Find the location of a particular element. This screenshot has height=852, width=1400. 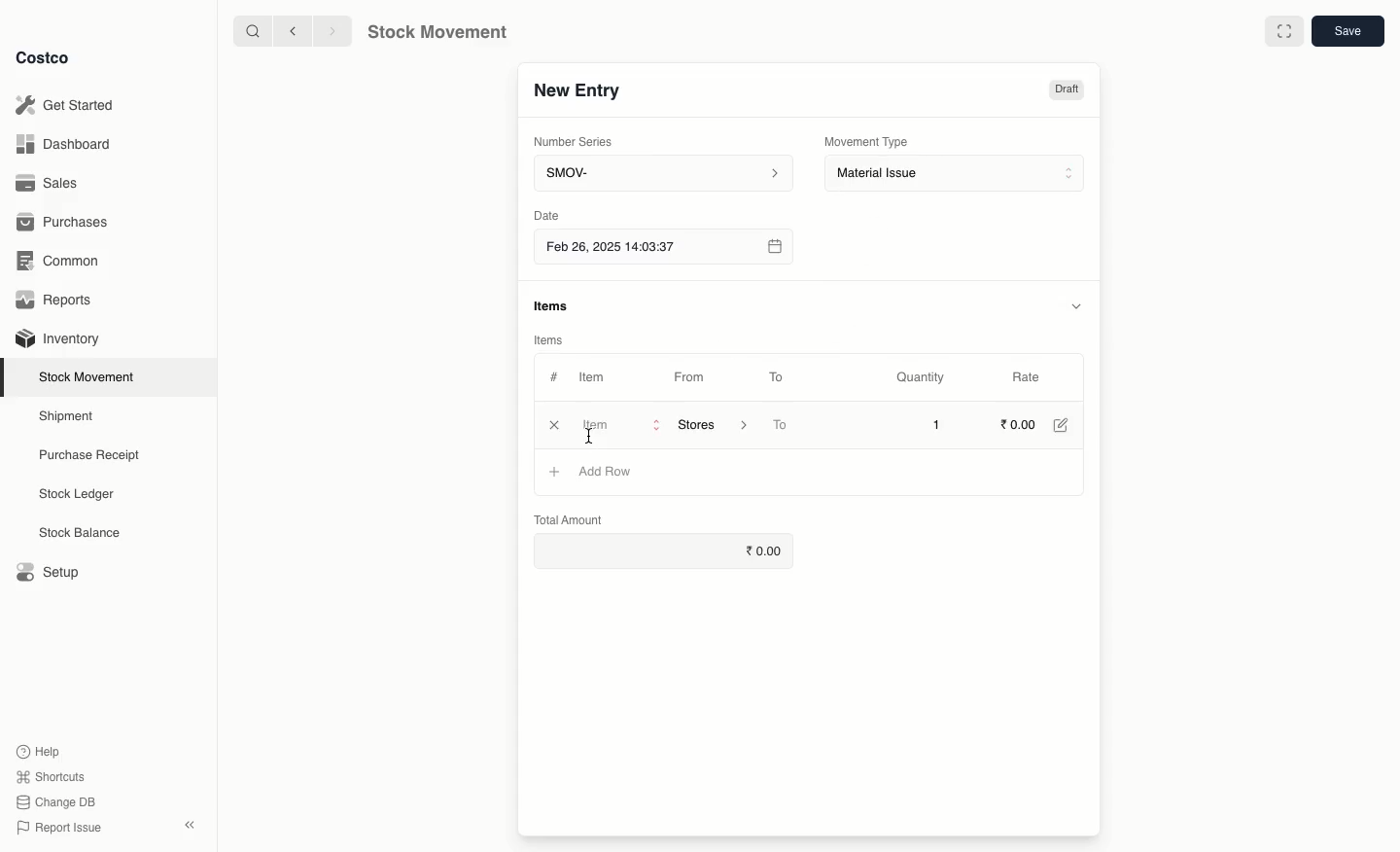

Rate is located at coordinates (1027, 374).